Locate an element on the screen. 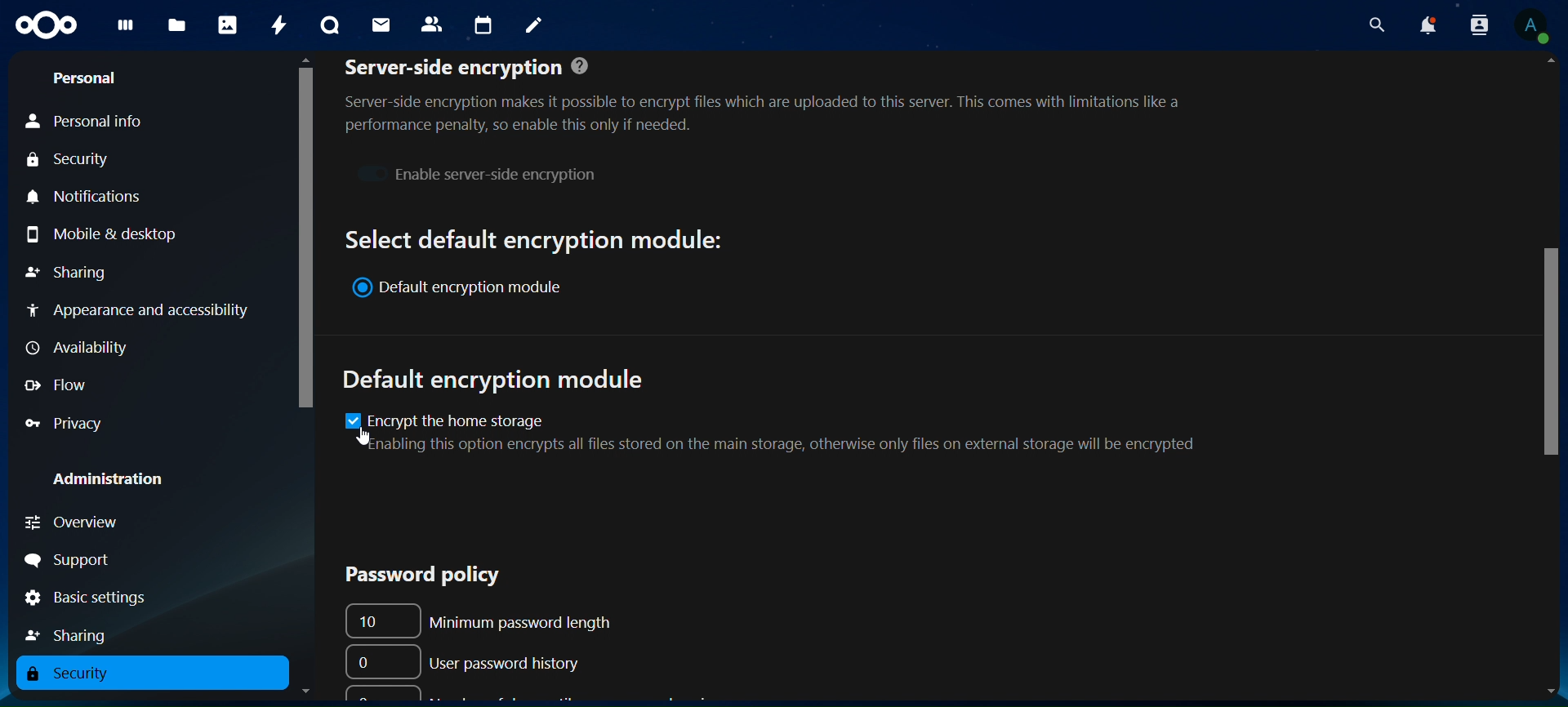 This screenshot has height=707, width=1568. calendar is located at coordinates (484, 26).